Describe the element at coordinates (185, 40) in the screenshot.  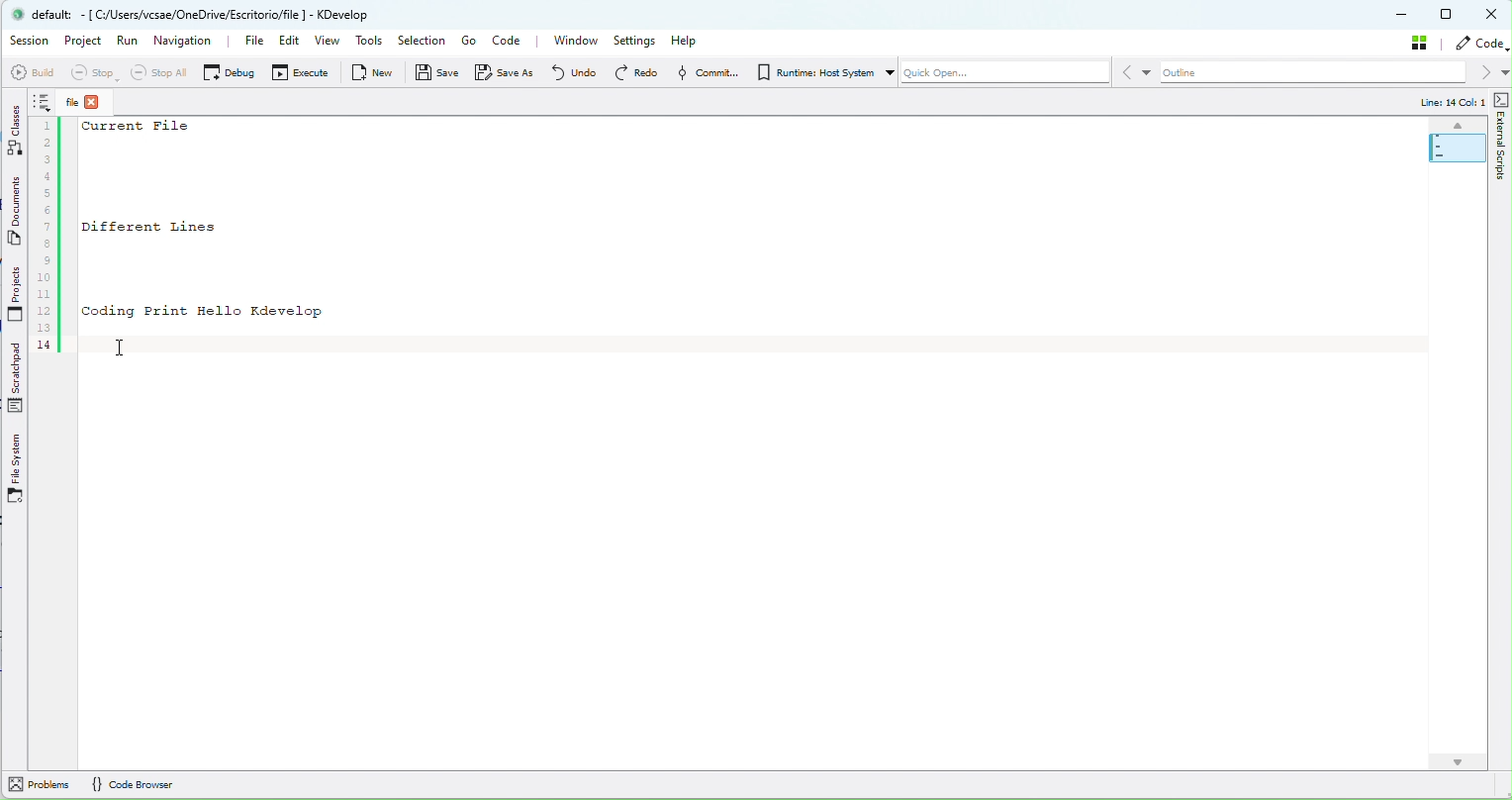
I see `navigation` at that location.